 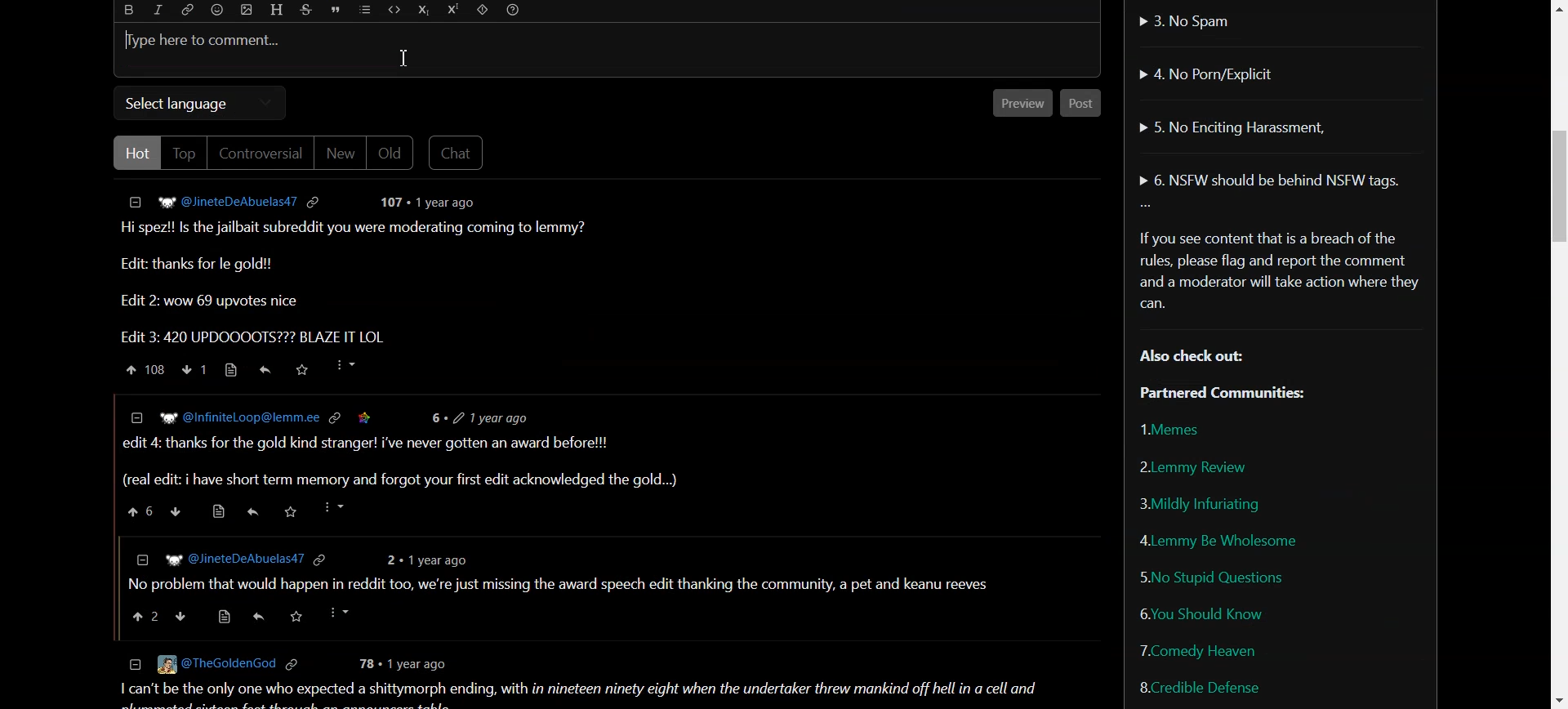 I want to click on More, so click(x=1146, y=206).